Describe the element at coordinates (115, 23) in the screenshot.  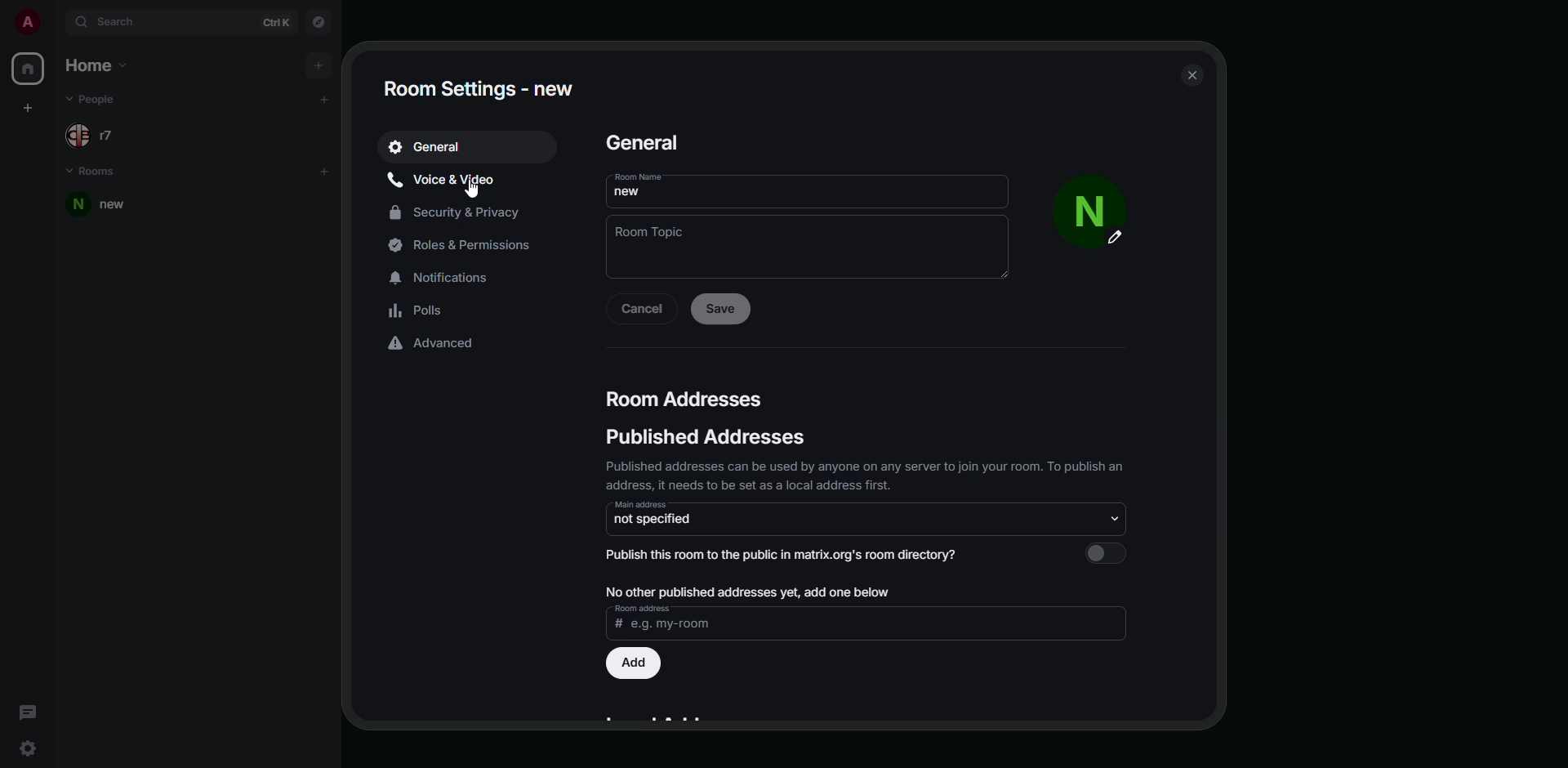
I see `search` at that location.